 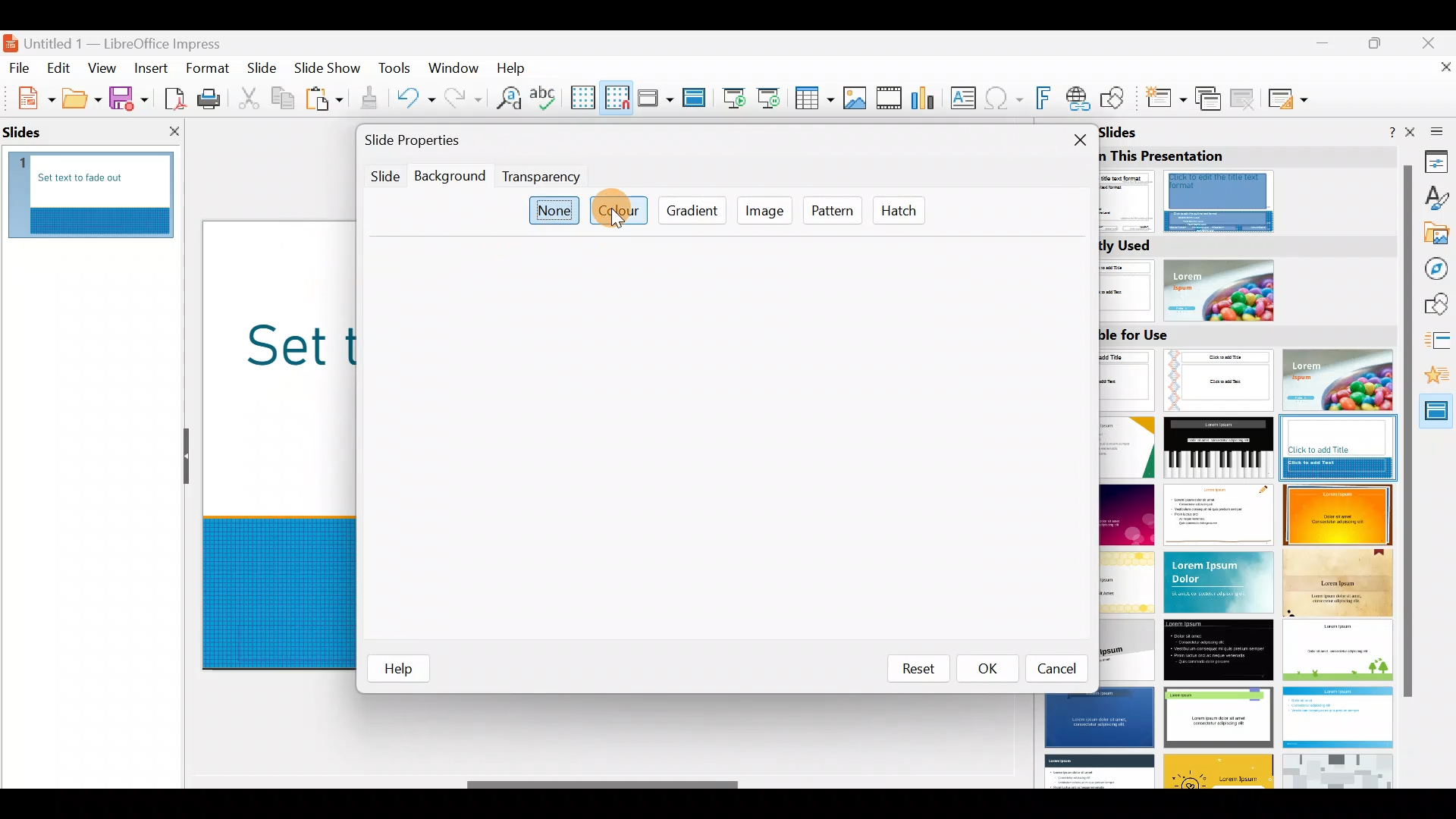 I want to click on Cursor, so click(x=616, y=221).